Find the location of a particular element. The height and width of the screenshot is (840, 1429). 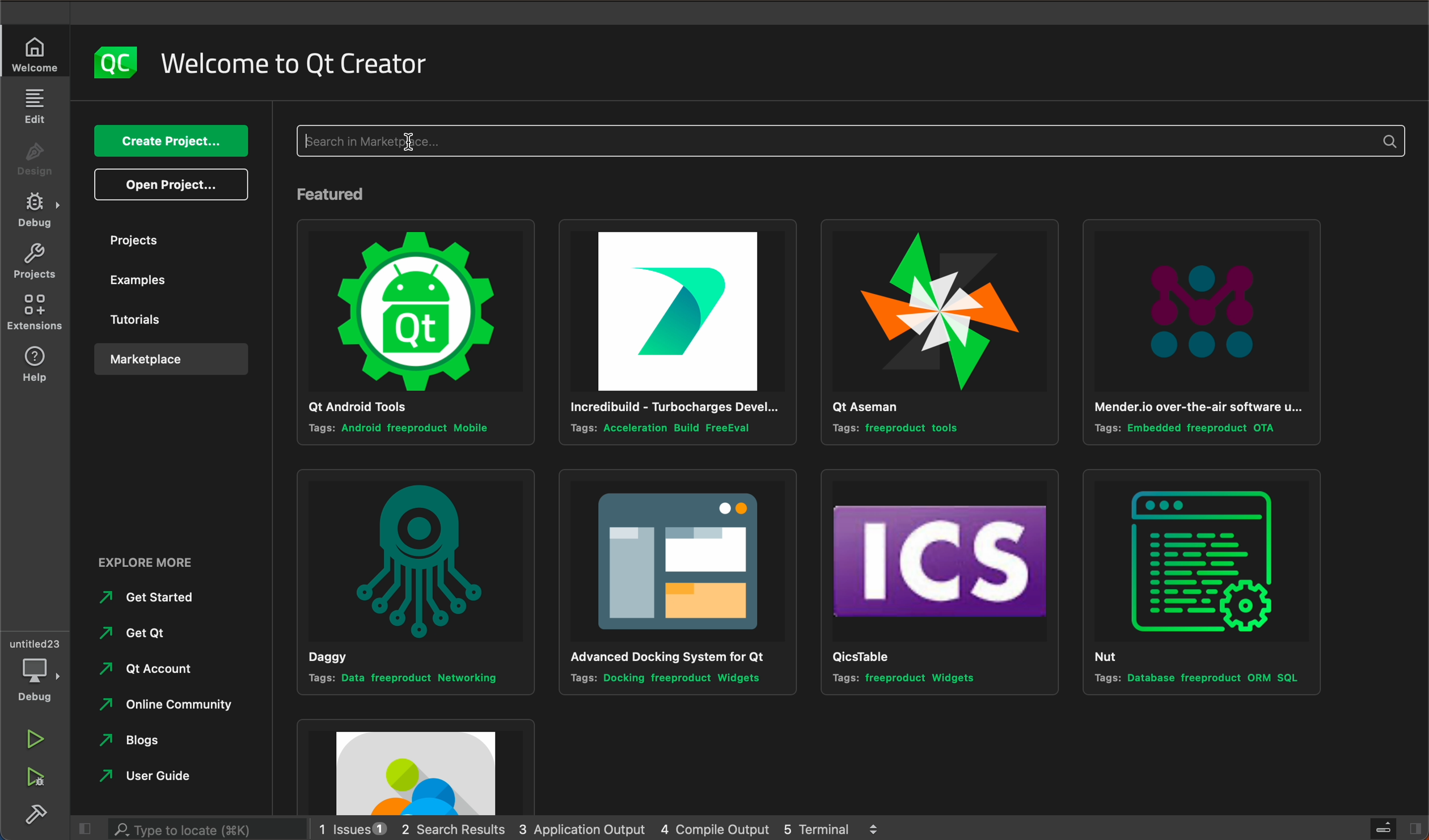

projects is located at coordinates (173, 240).